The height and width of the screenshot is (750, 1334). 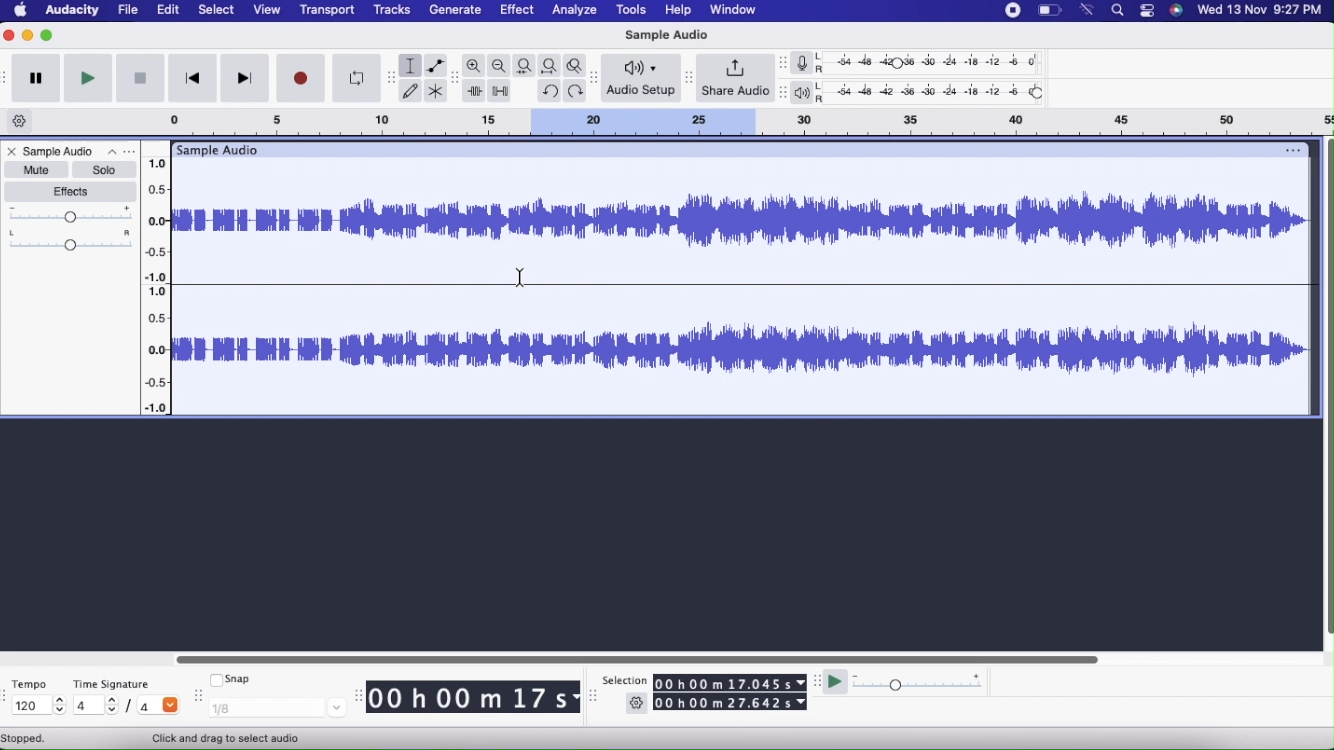 I want to click on Zoom out, so click(x=500, y=66).